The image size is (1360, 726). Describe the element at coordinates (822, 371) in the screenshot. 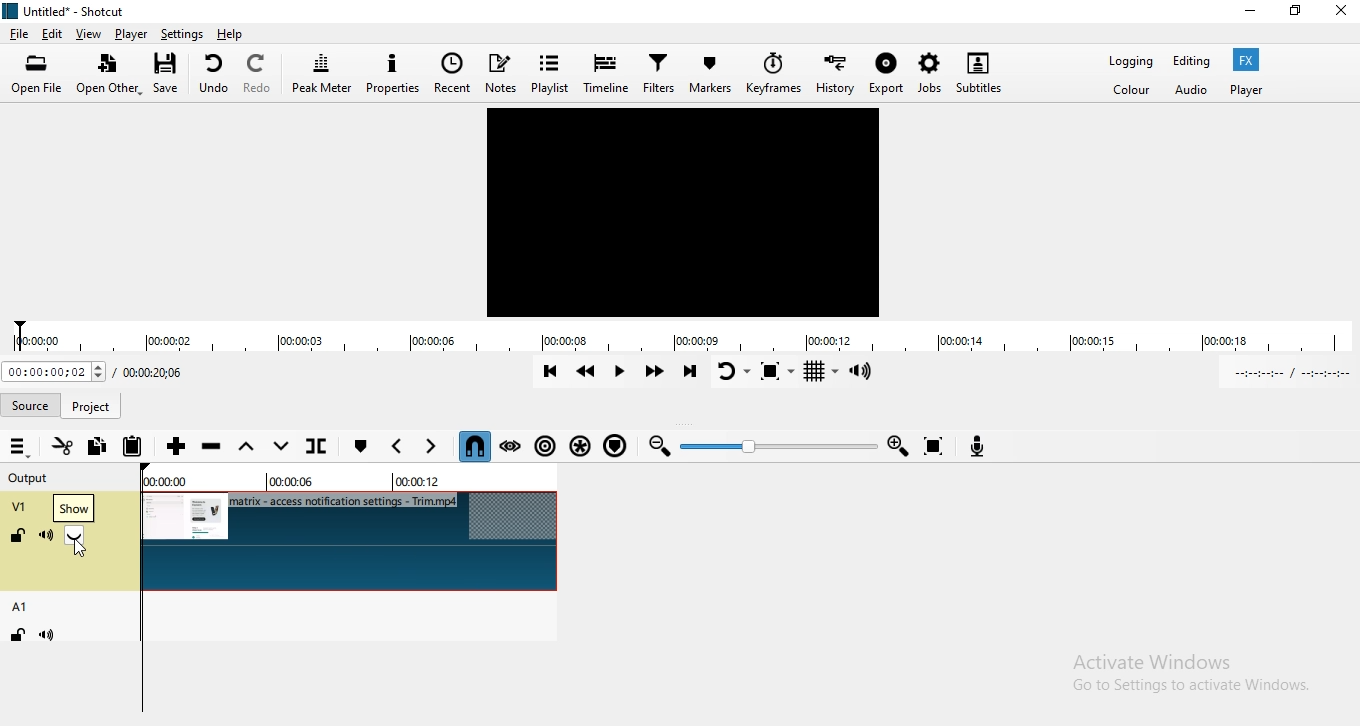

I see `Toggle grid display ` at that location.